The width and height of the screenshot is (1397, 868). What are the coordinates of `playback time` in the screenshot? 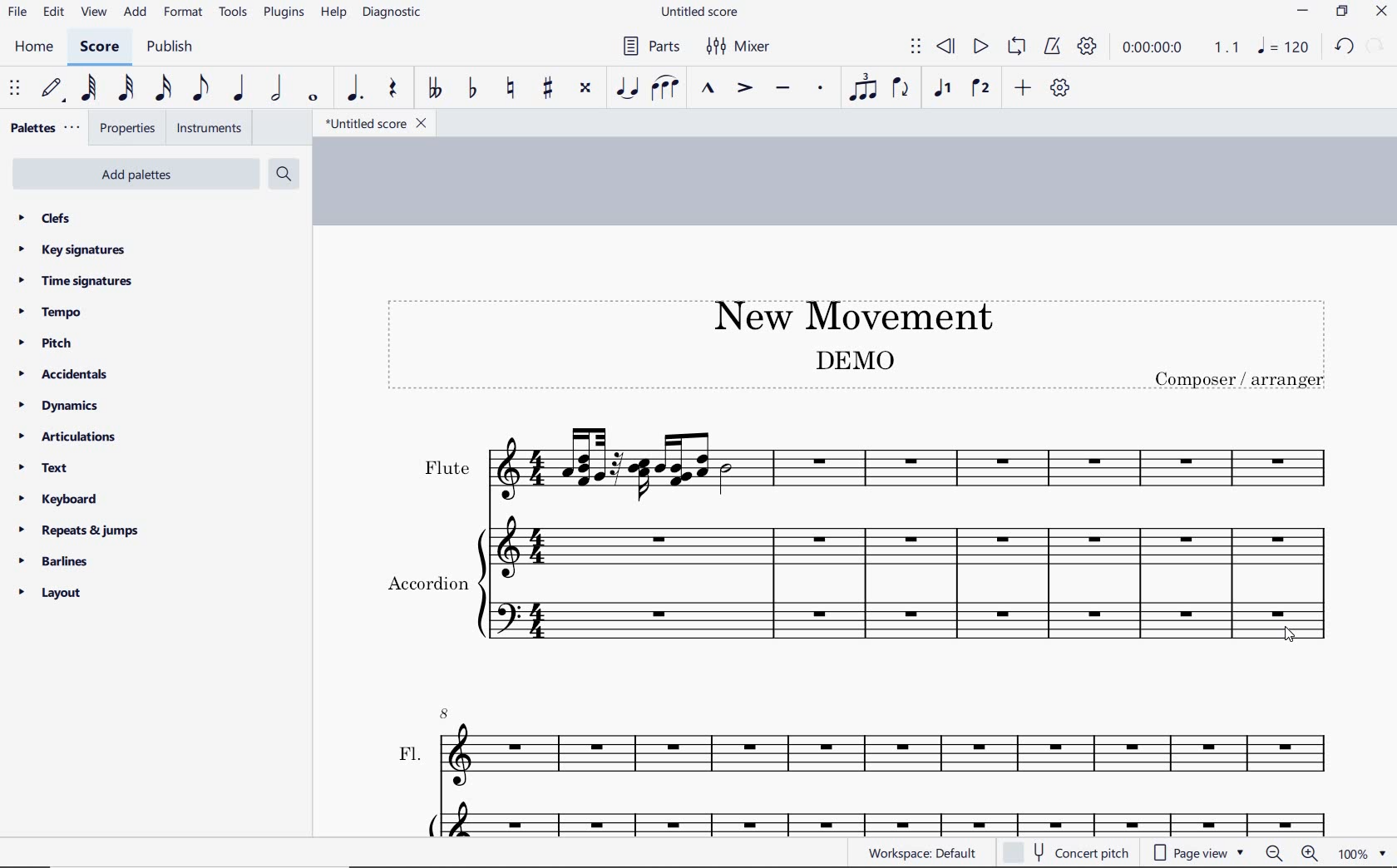 It's located at (1153, 47).